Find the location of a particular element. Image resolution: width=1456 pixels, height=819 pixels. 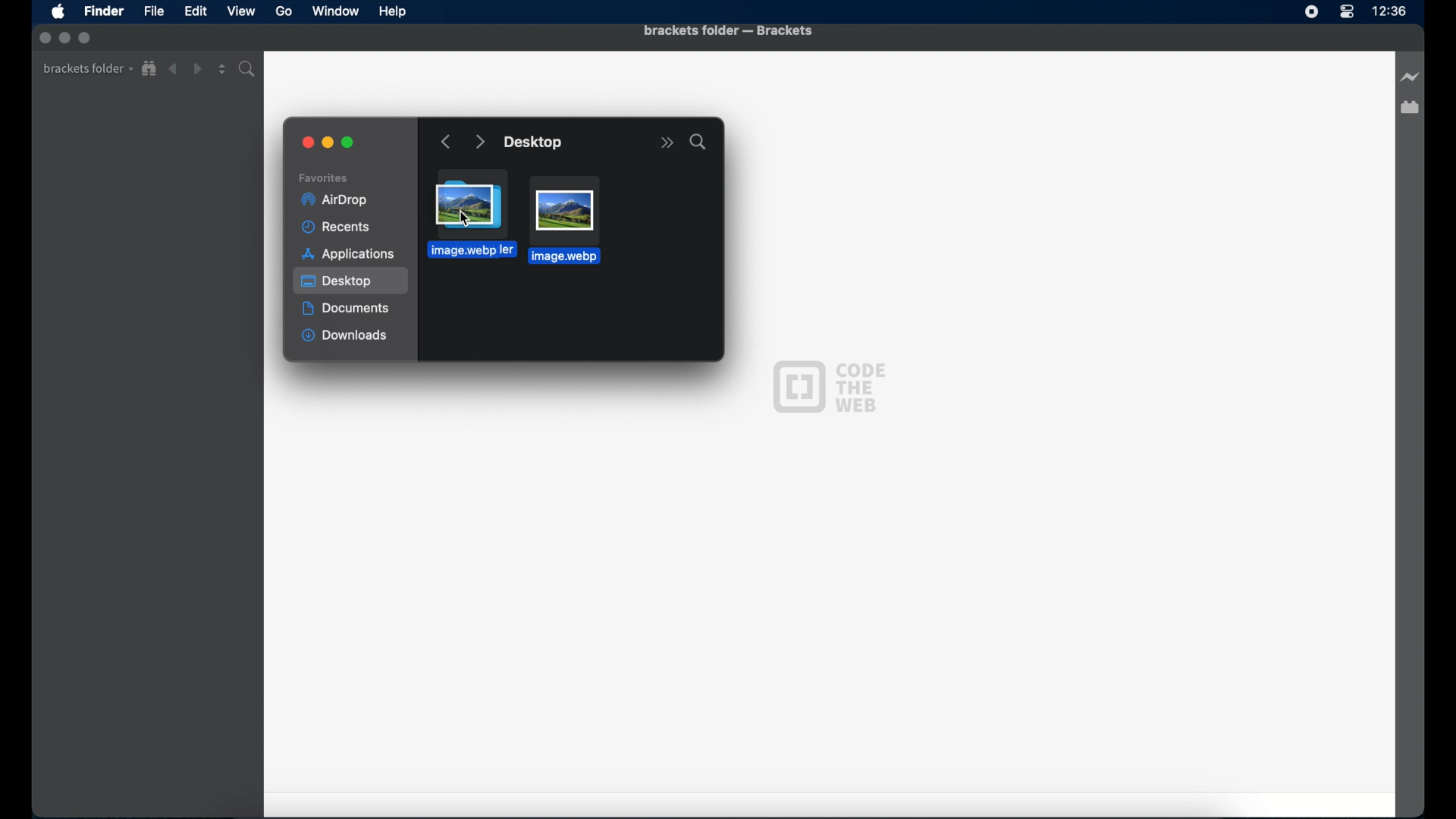

close is located at coordinates (309, 143).